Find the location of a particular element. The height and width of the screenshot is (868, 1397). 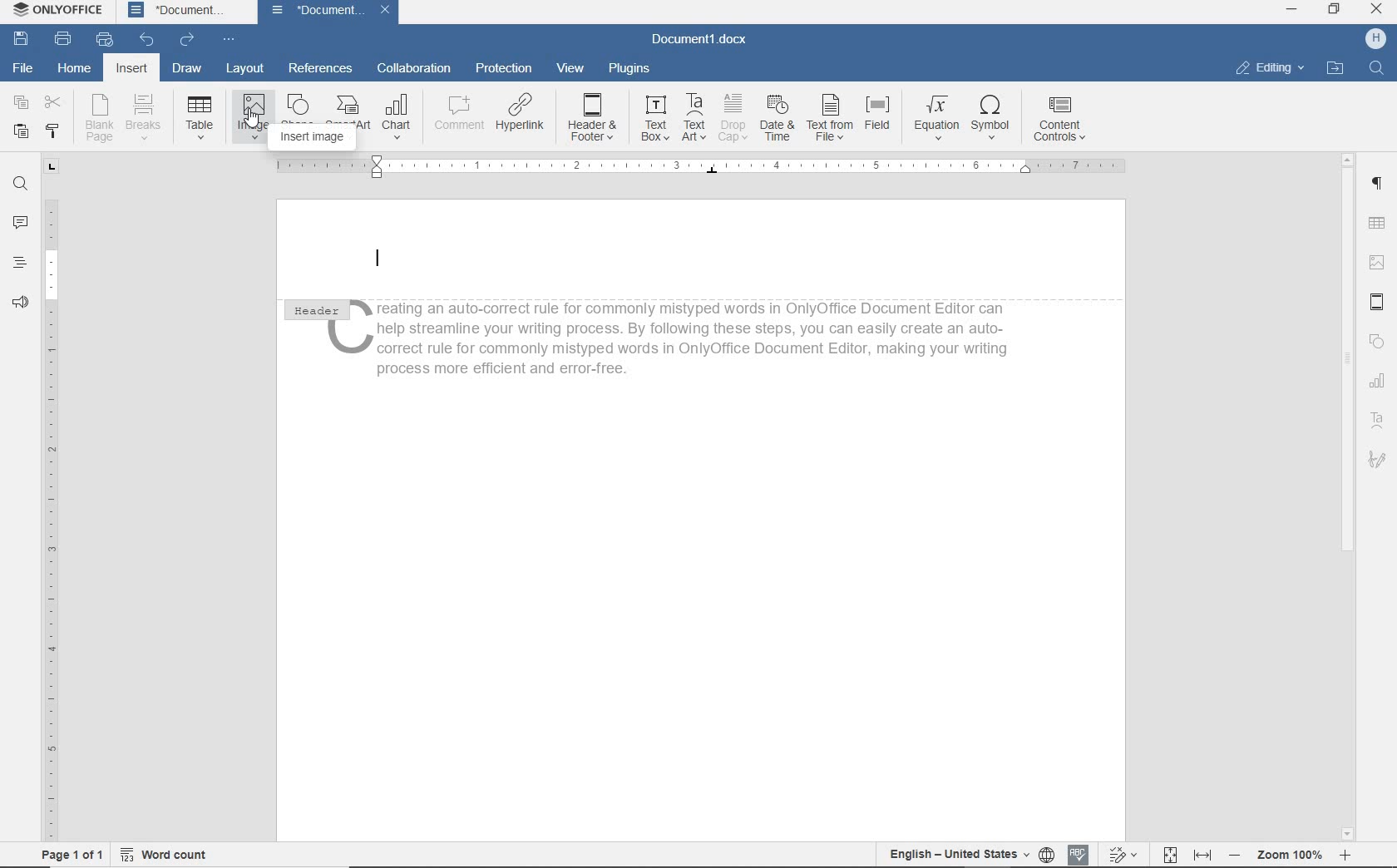

CONTENT CONTROLS is located at coordinates (1063, 120).